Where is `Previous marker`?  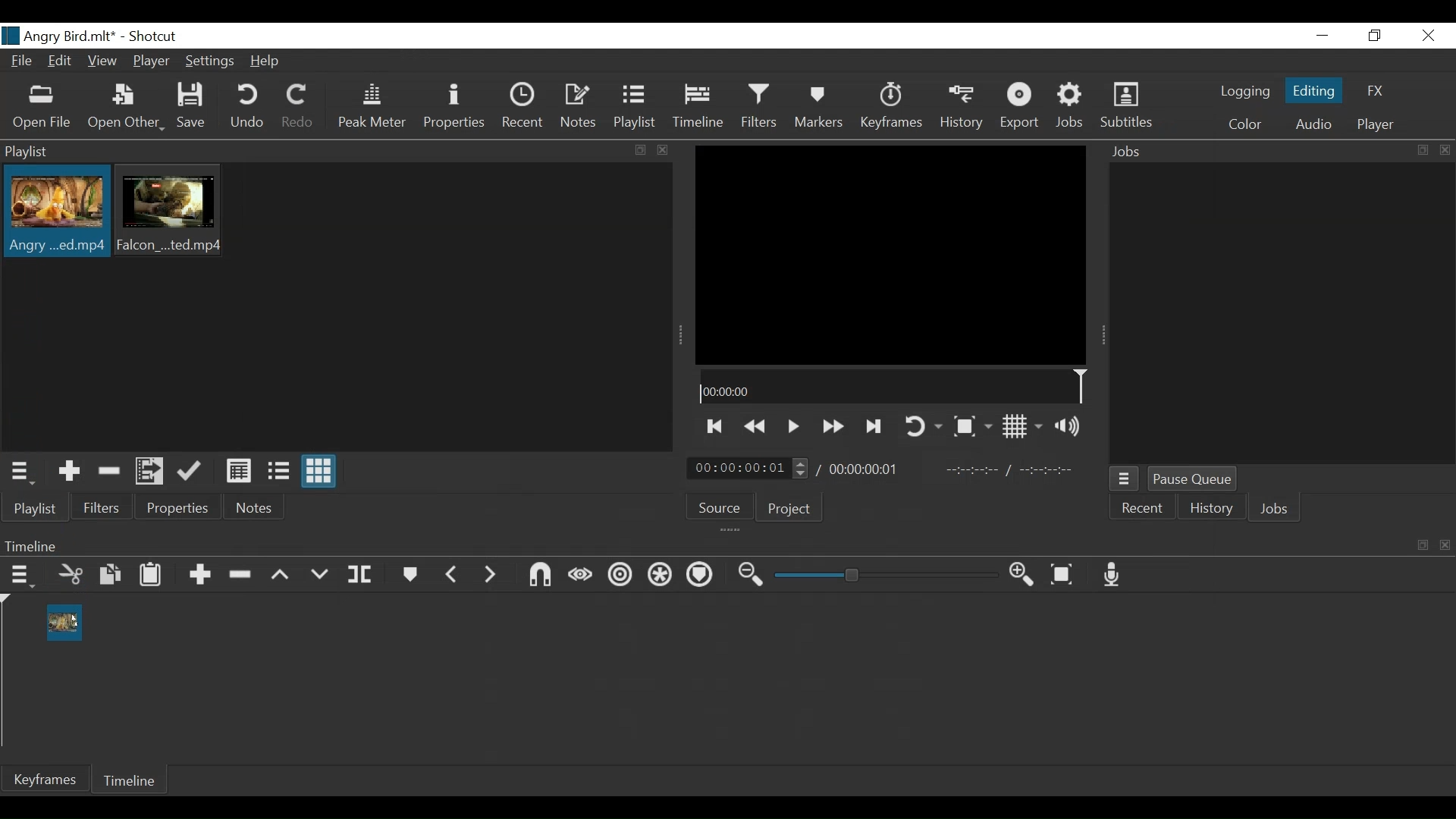
Previous marker is located at coordinates (452, 576).